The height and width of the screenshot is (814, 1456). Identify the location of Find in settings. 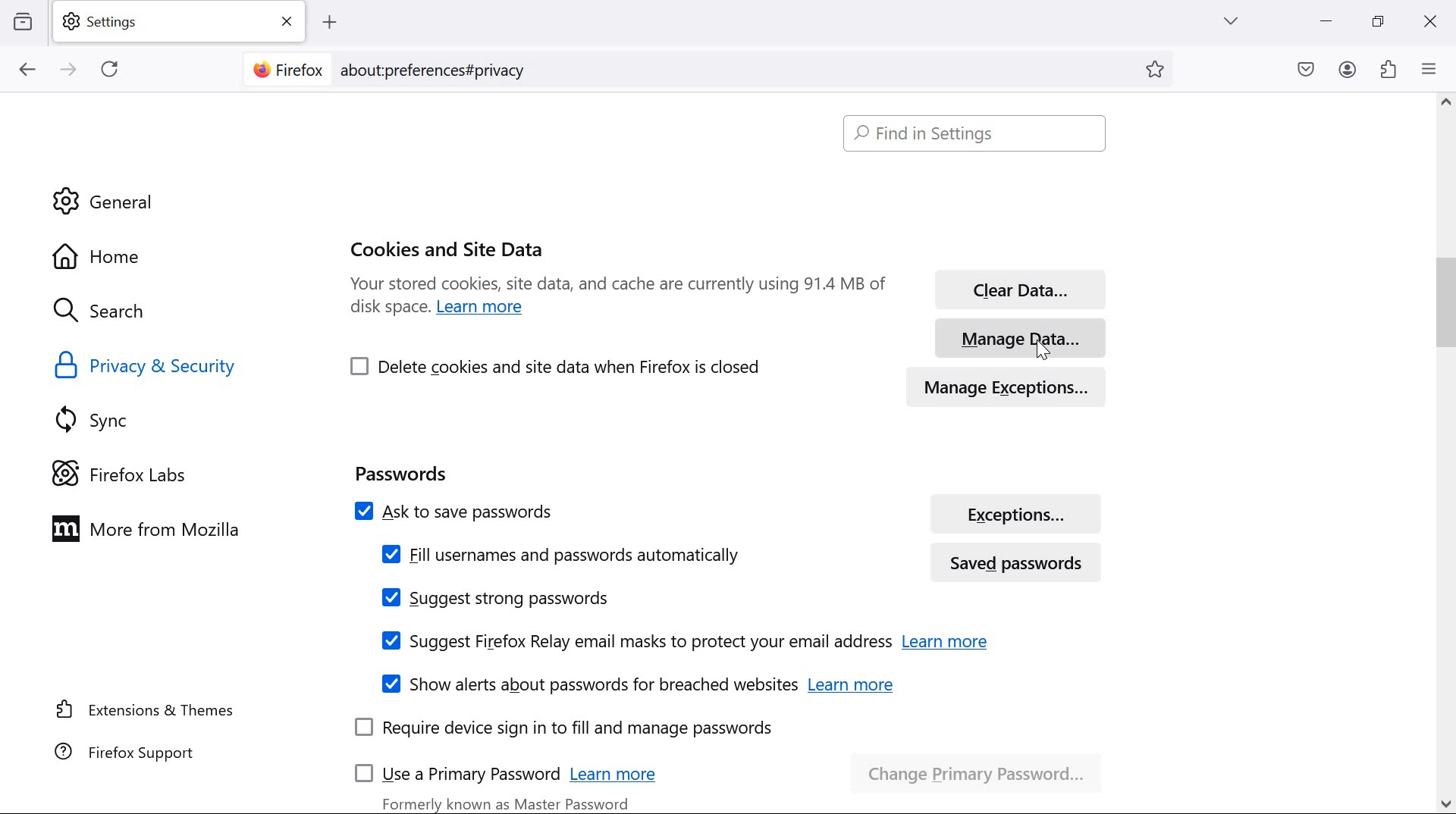
(978, 133).